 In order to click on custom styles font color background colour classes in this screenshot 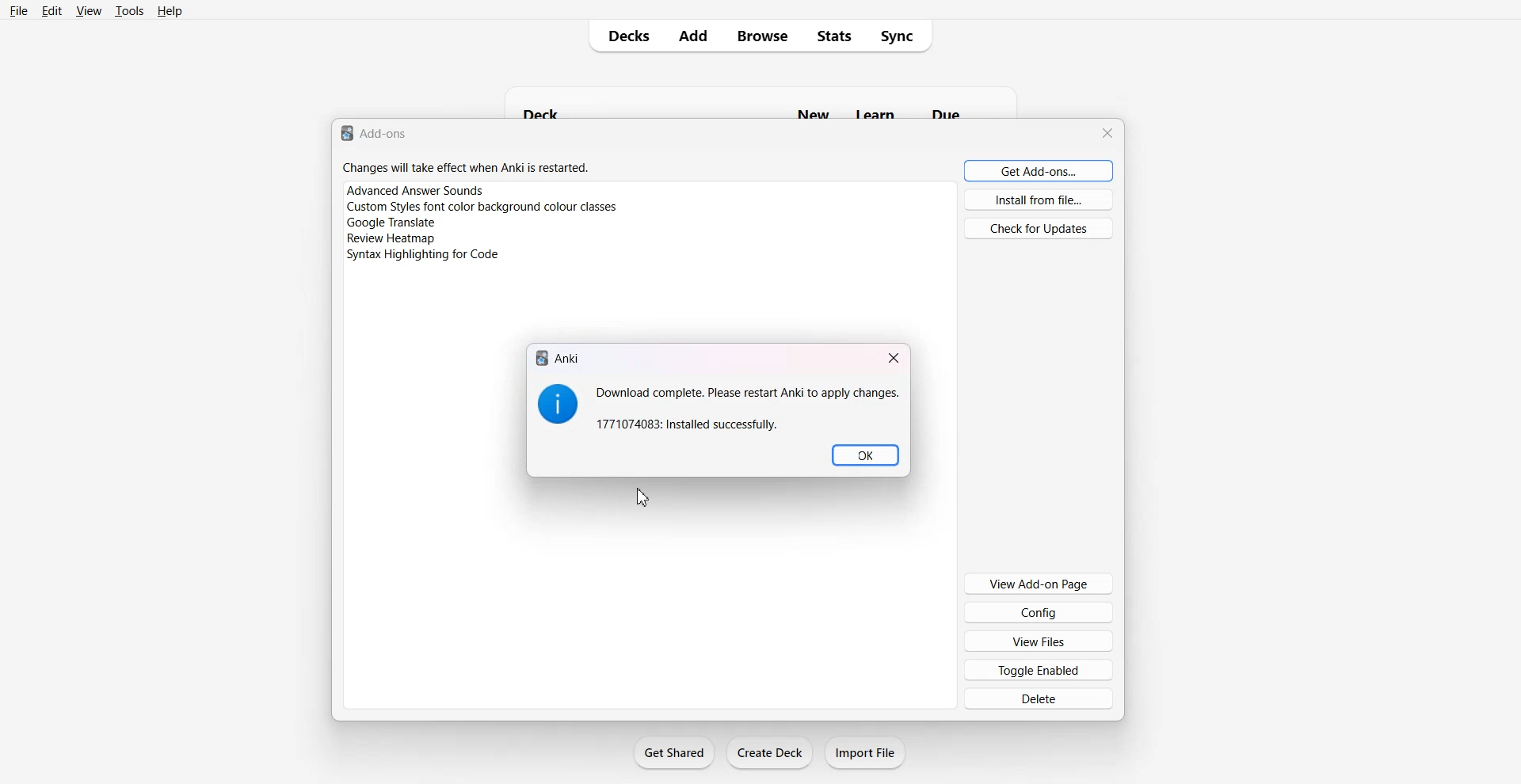, I will do `click(483, 207)`.